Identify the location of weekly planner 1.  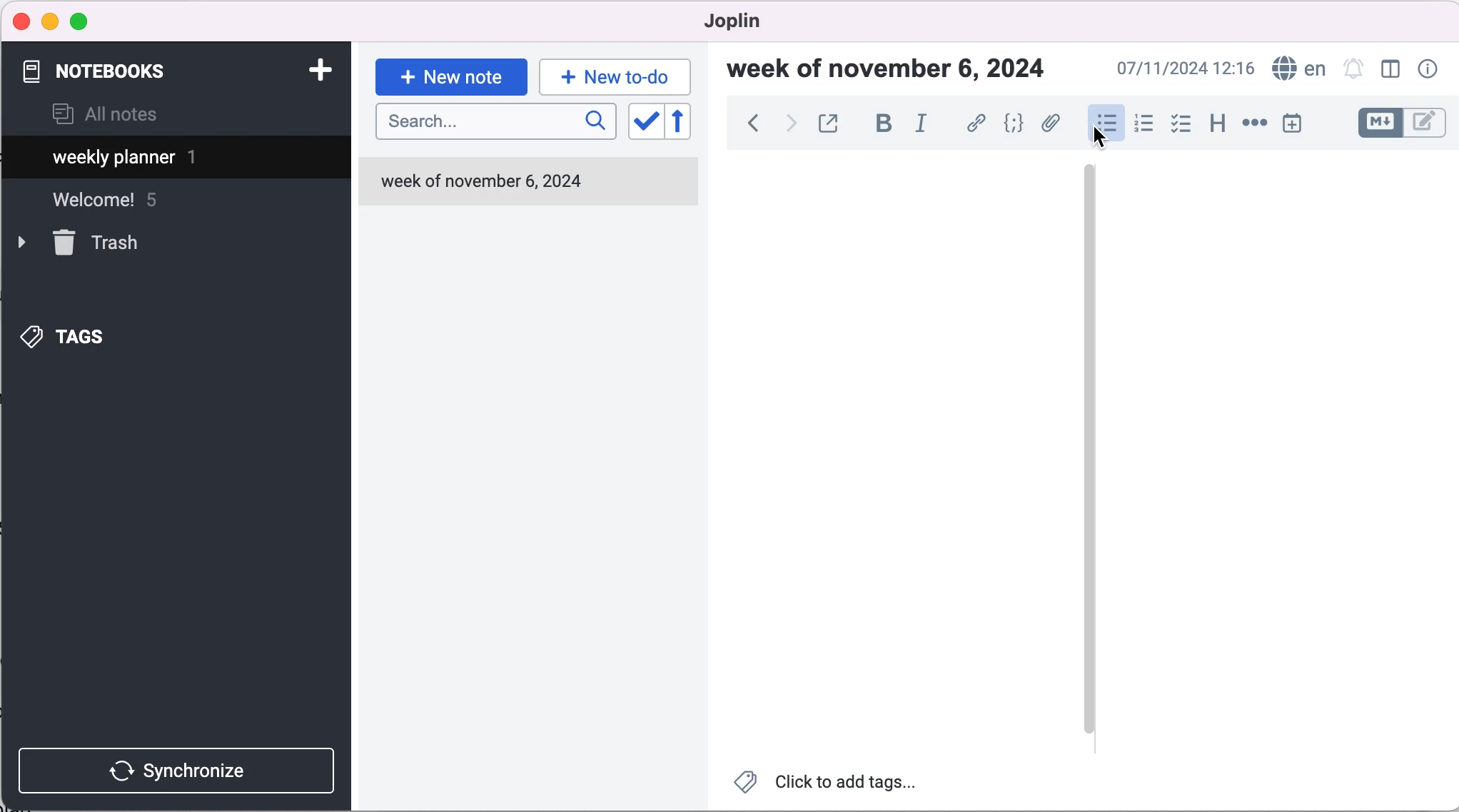
(164, 159).